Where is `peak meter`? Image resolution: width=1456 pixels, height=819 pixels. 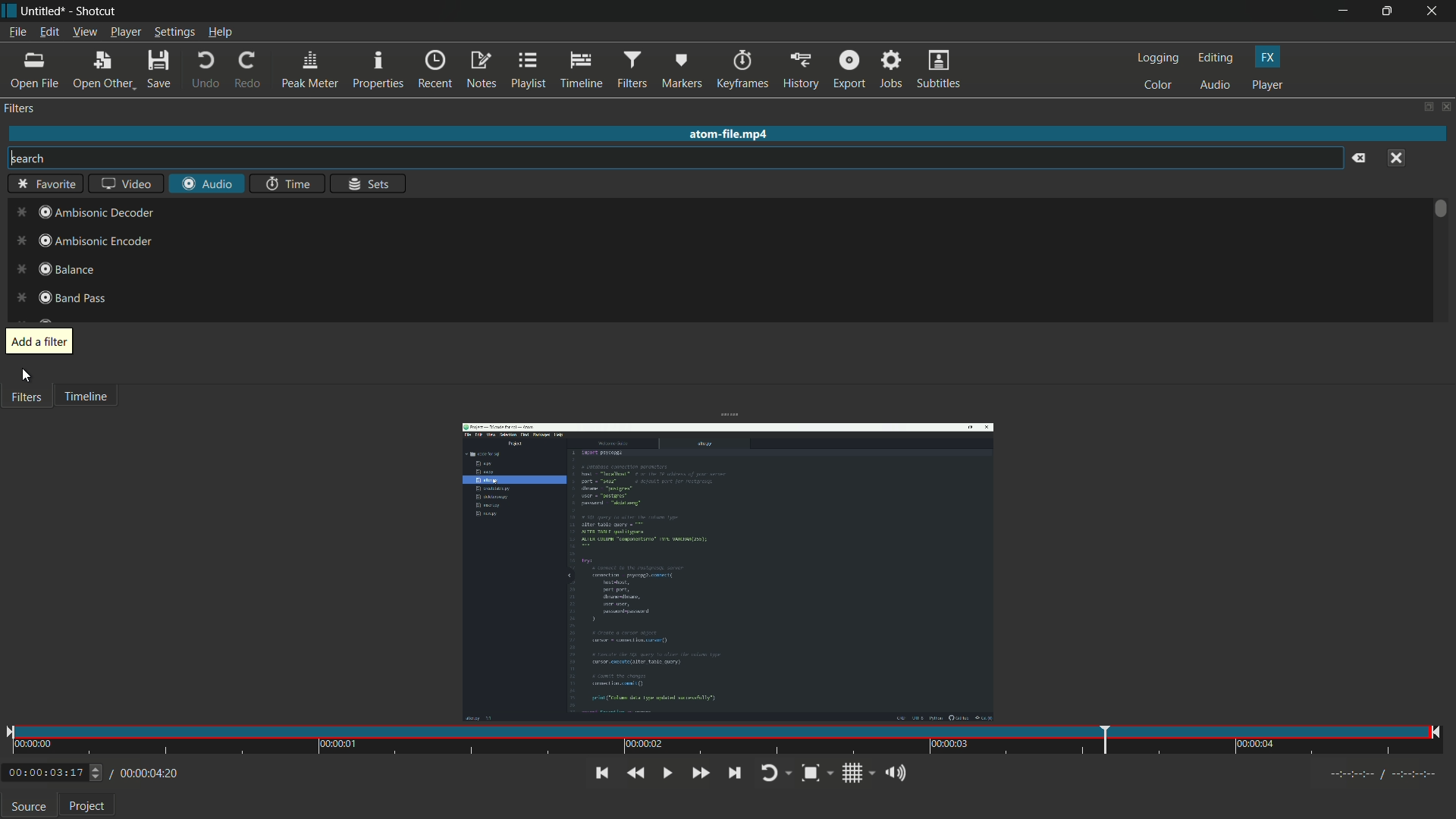 peak meter is located at coordinates (310, 70).